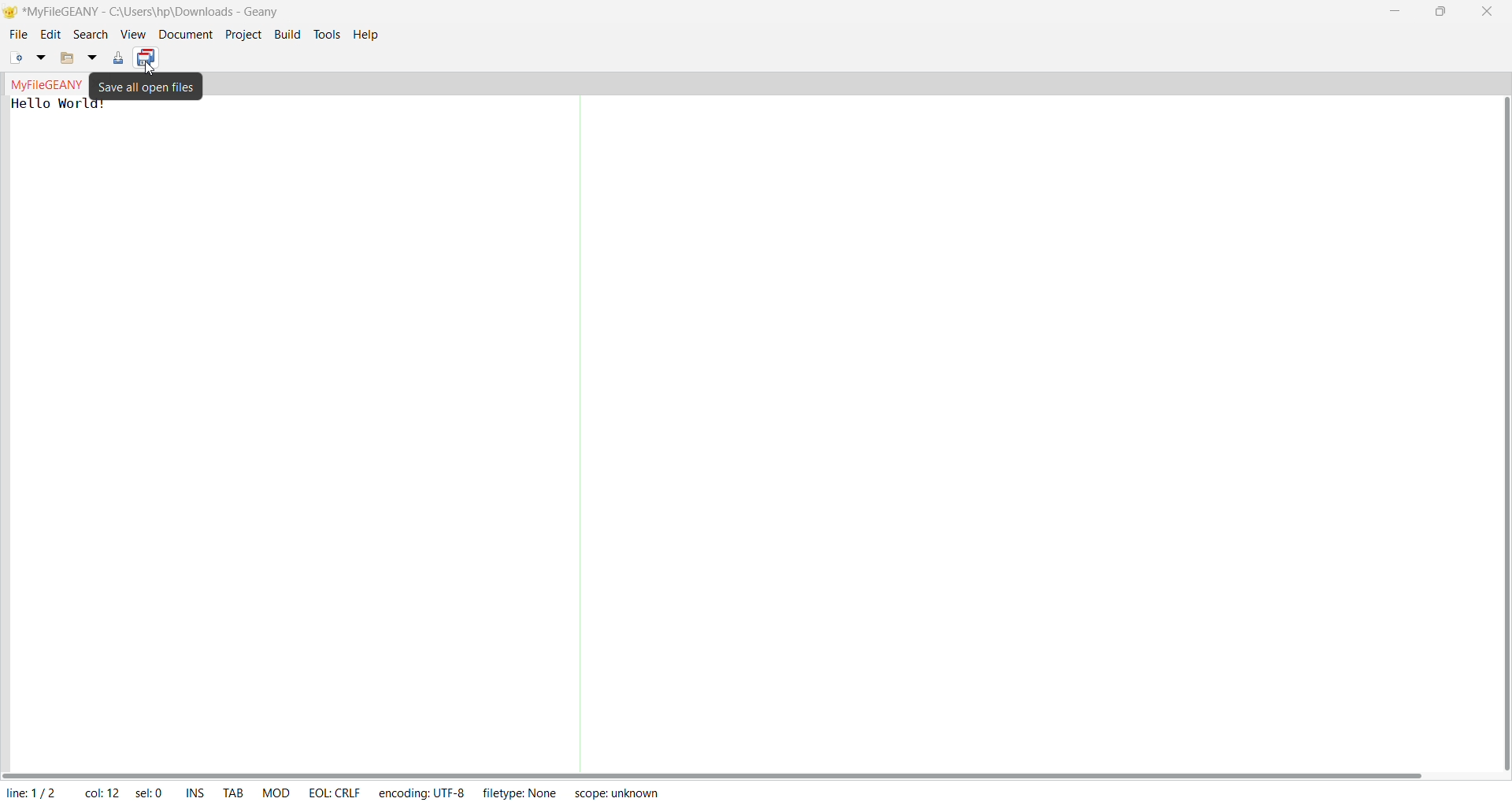  Describe the element at coordinates (119, 58) in the screenshot. I see `Save Current File` at that location.